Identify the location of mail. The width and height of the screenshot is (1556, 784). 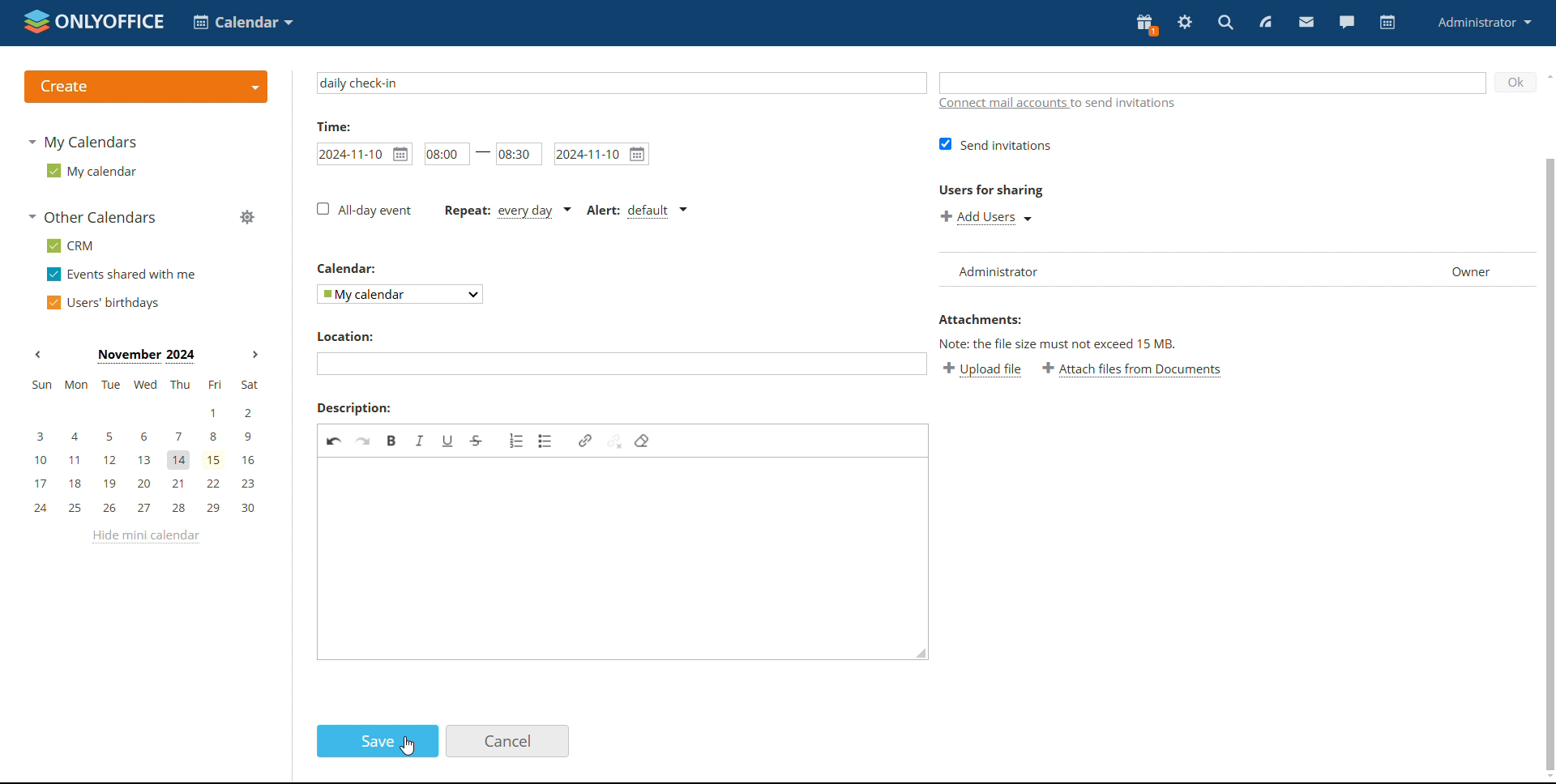
(1307, 23).